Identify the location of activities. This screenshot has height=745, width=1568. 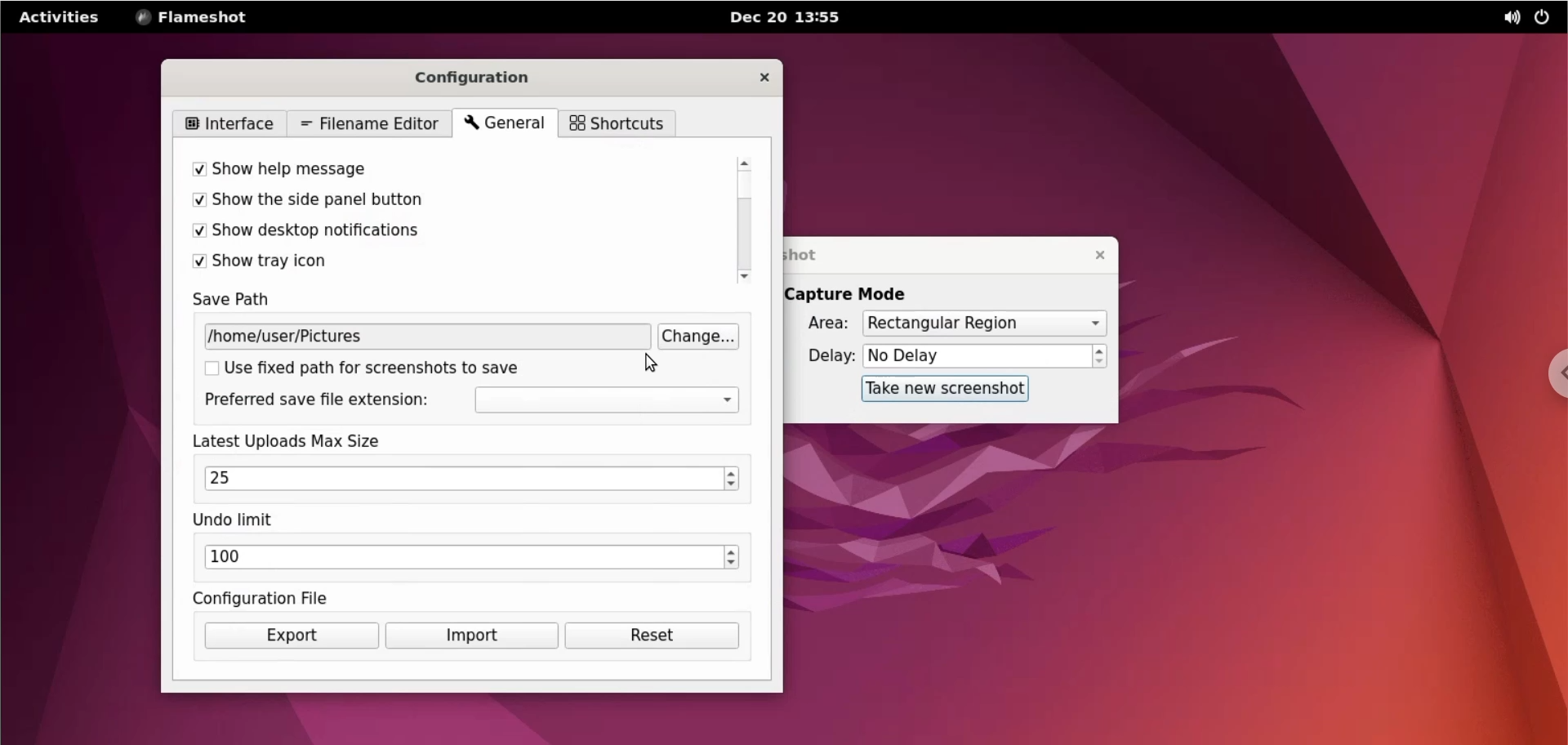
(61, 16).